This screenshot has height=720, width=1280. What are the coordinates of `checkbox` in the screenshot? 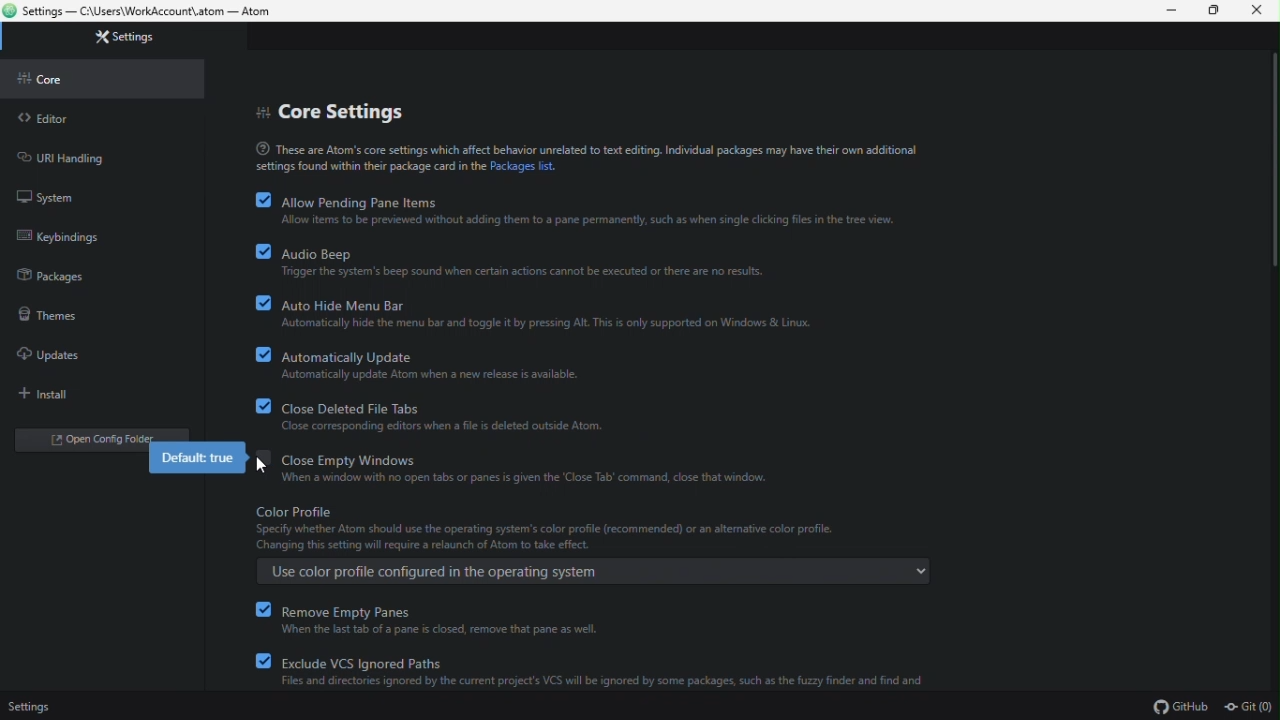 It's located at (261, 304).